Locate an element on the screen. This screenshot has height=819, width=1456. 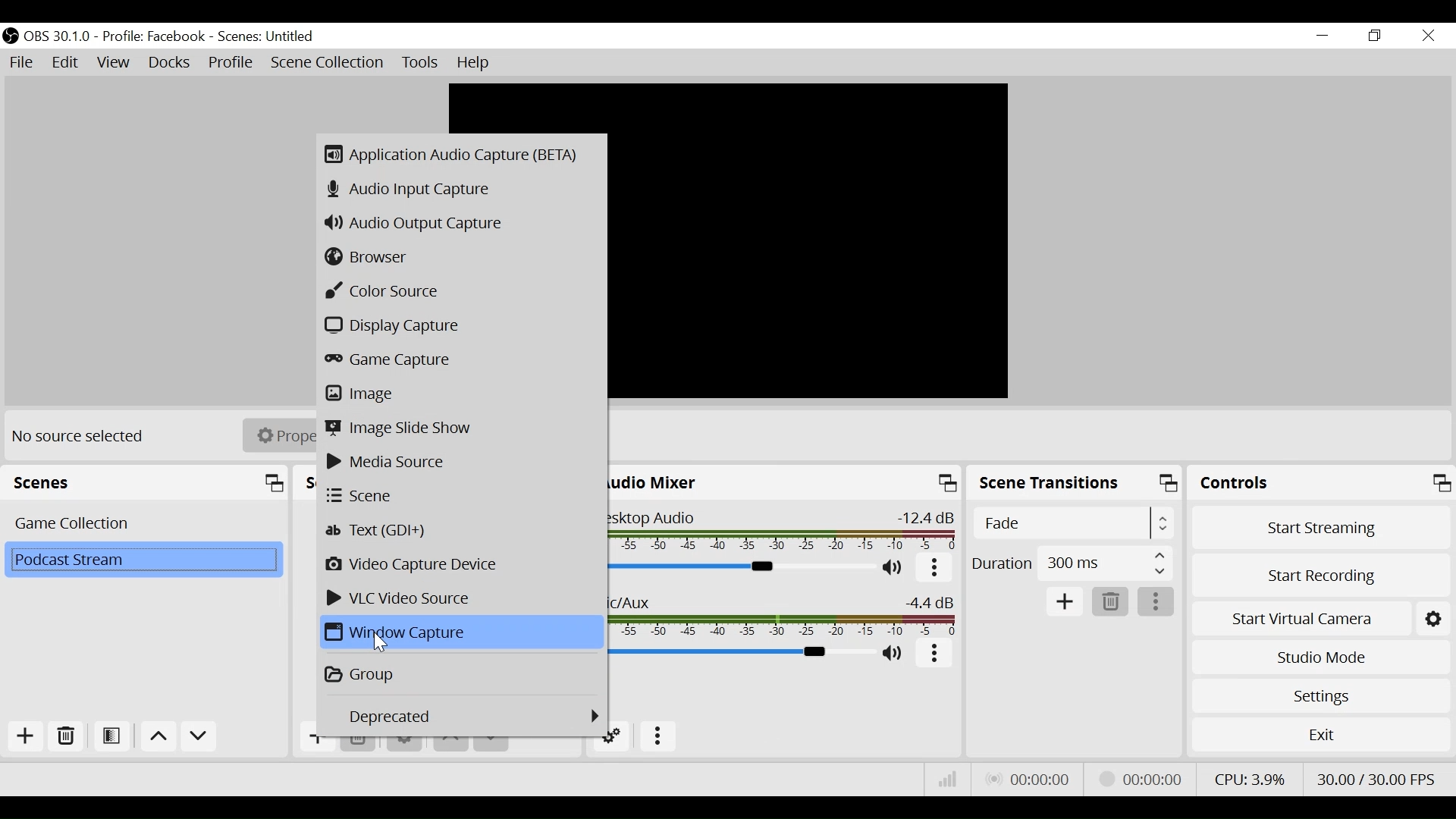
Frame Per Second is located at coordinates (1377, 778).